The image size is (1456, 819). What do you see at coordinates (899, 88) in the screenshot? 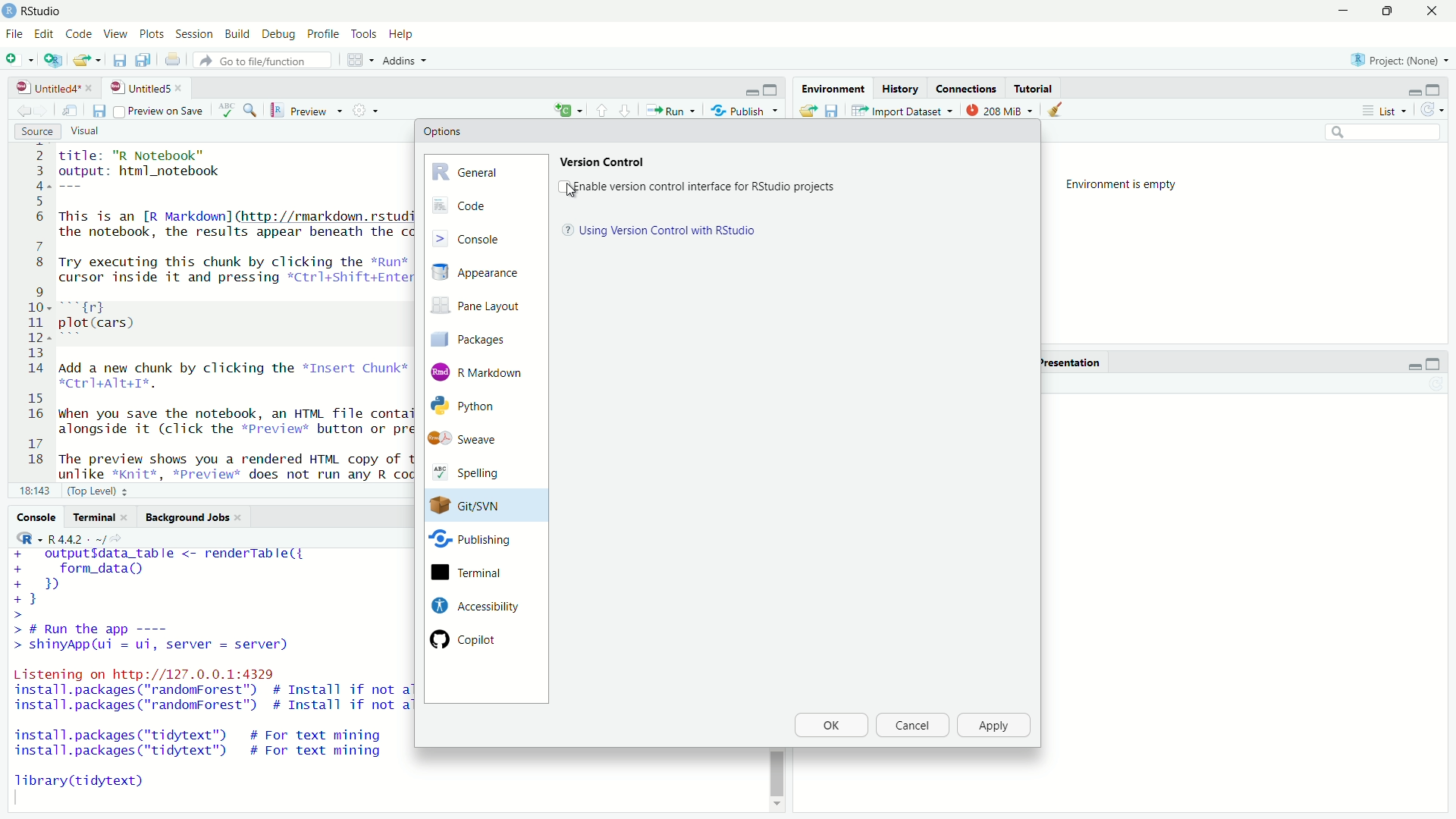
I see `History` at bounding box center [899, 88].